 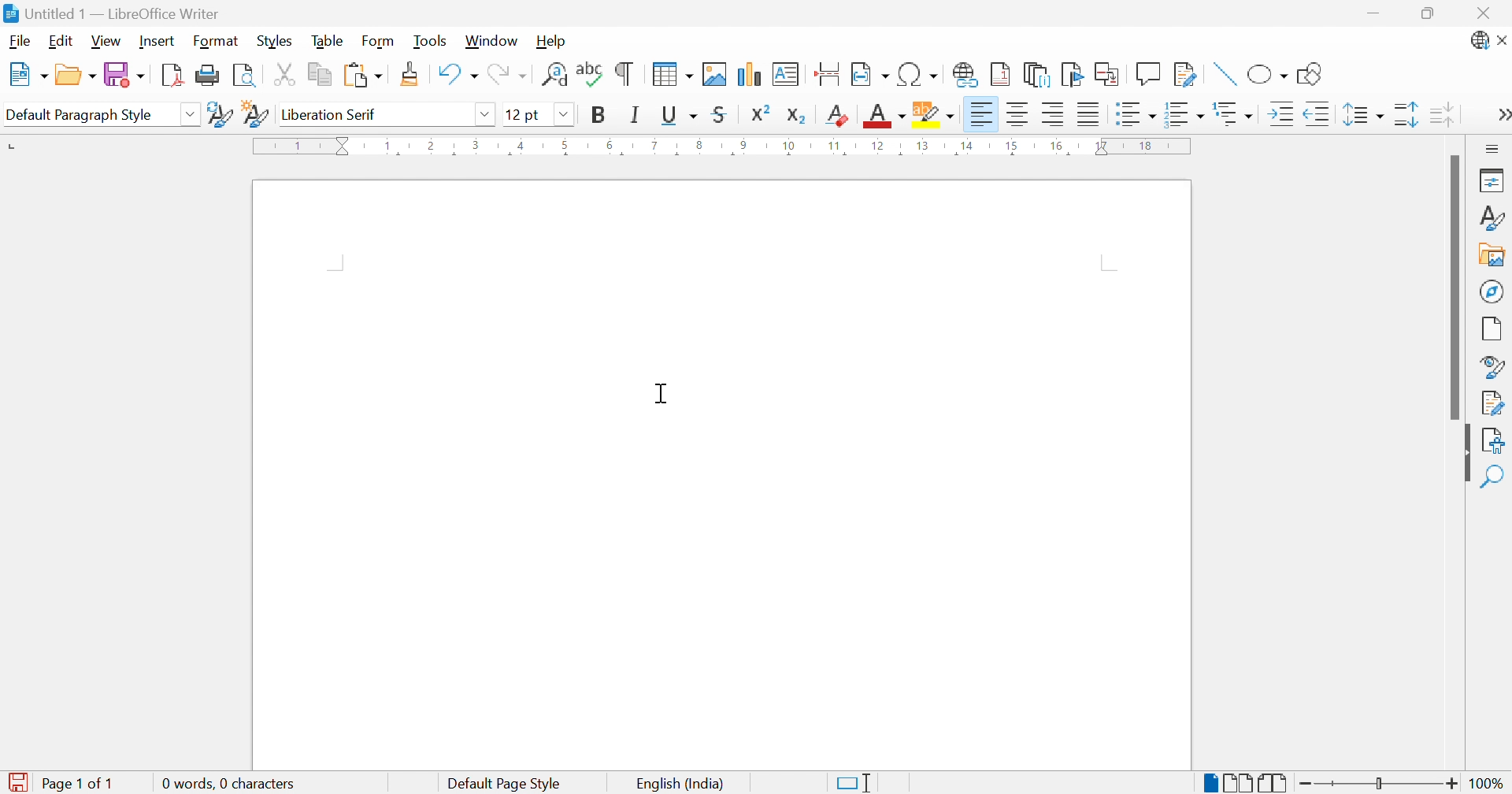 What do you see at coordinates (433, 42) in the screenshot?
I see `Tools` at bounding box center [433, 42].